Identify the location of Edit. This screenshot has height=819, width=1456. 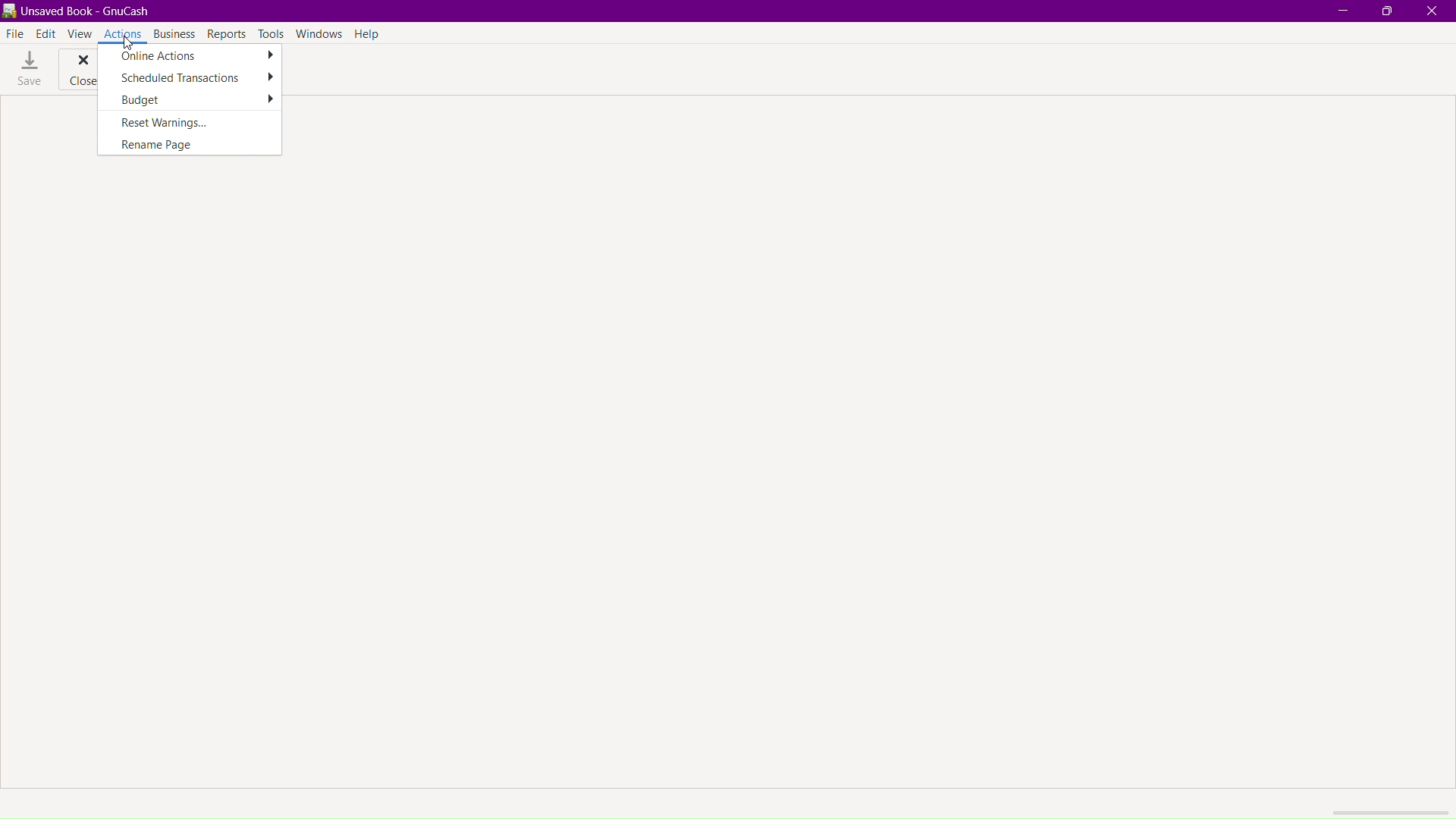
(49, 33).